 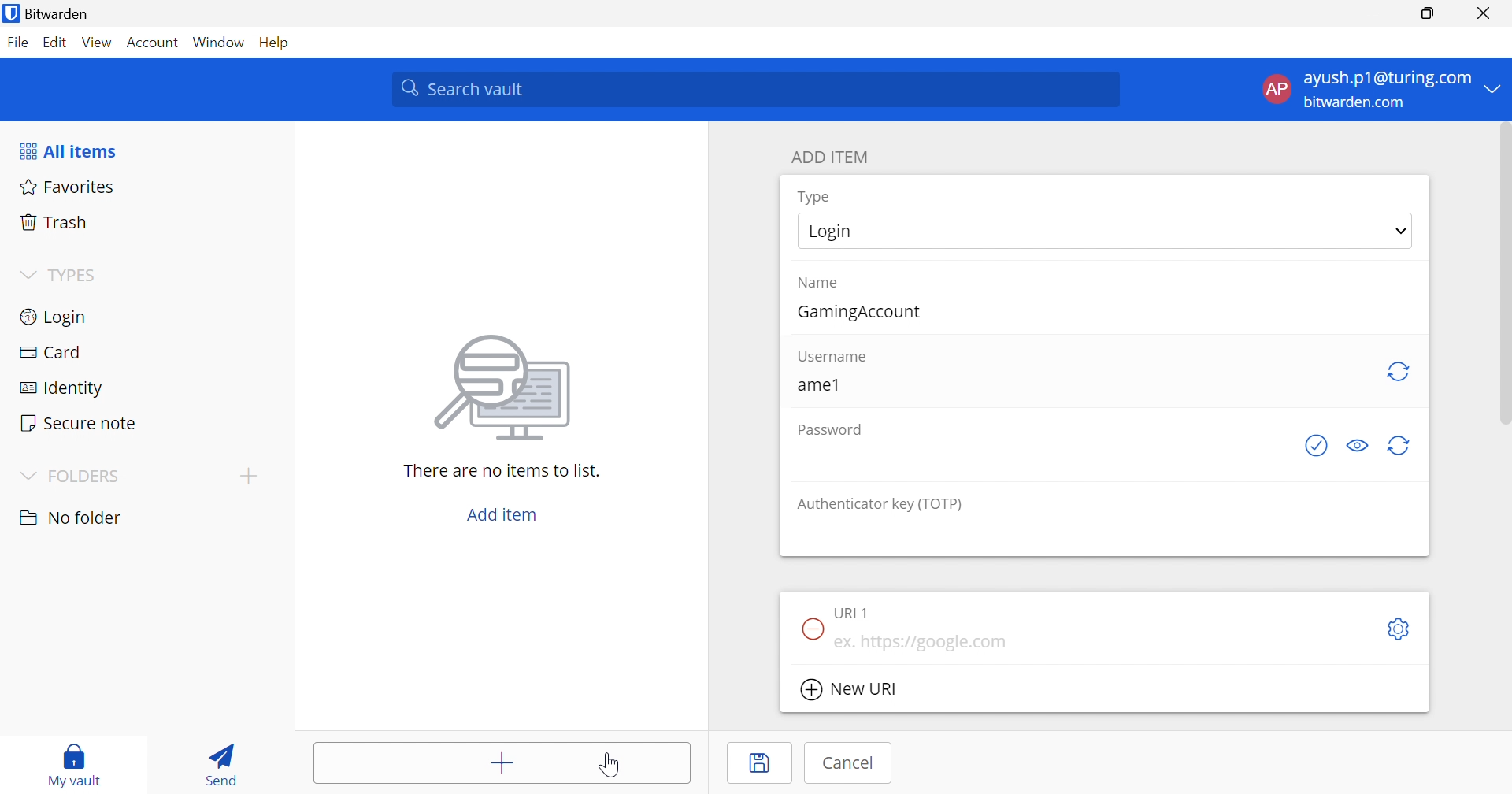 What do you see at coordinates (68, 188) in the screenshot?
I see `Favorites` at bounding box center [68, 188].